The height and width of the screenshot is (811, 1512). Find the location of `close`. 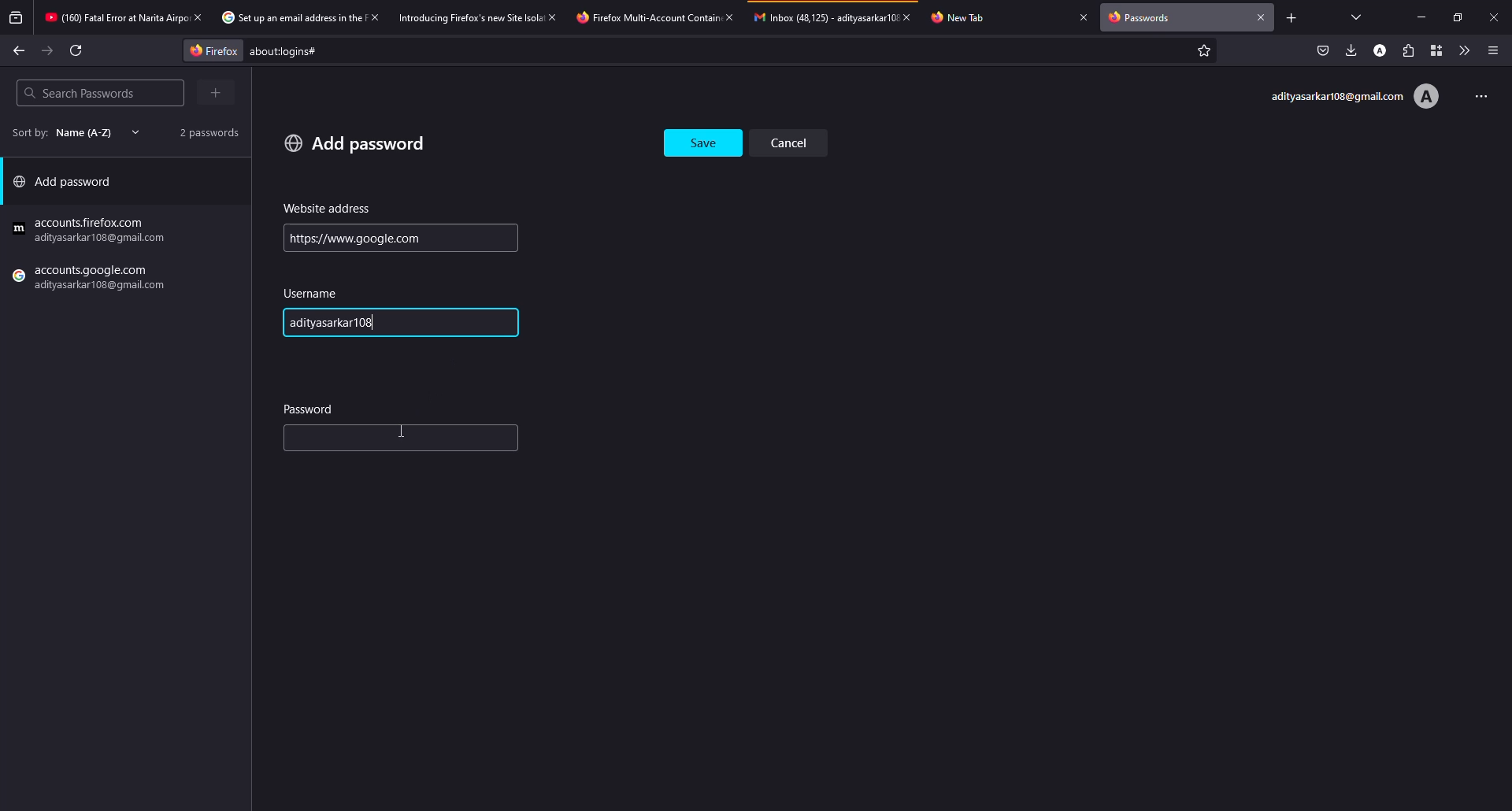

close is located at coordinates (1262, 16).